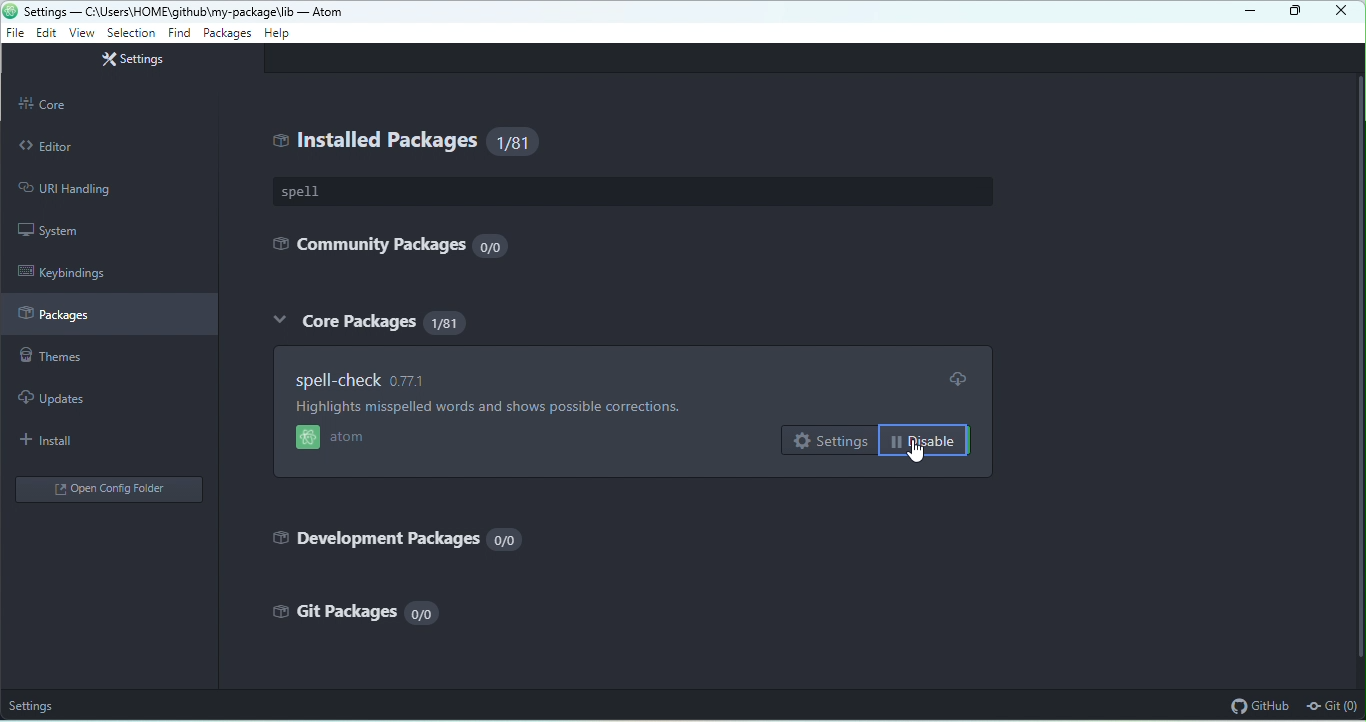  What do you see at coordinates (511, 142) in the screenshot?
I see `81` at bounding box center [511, 142].